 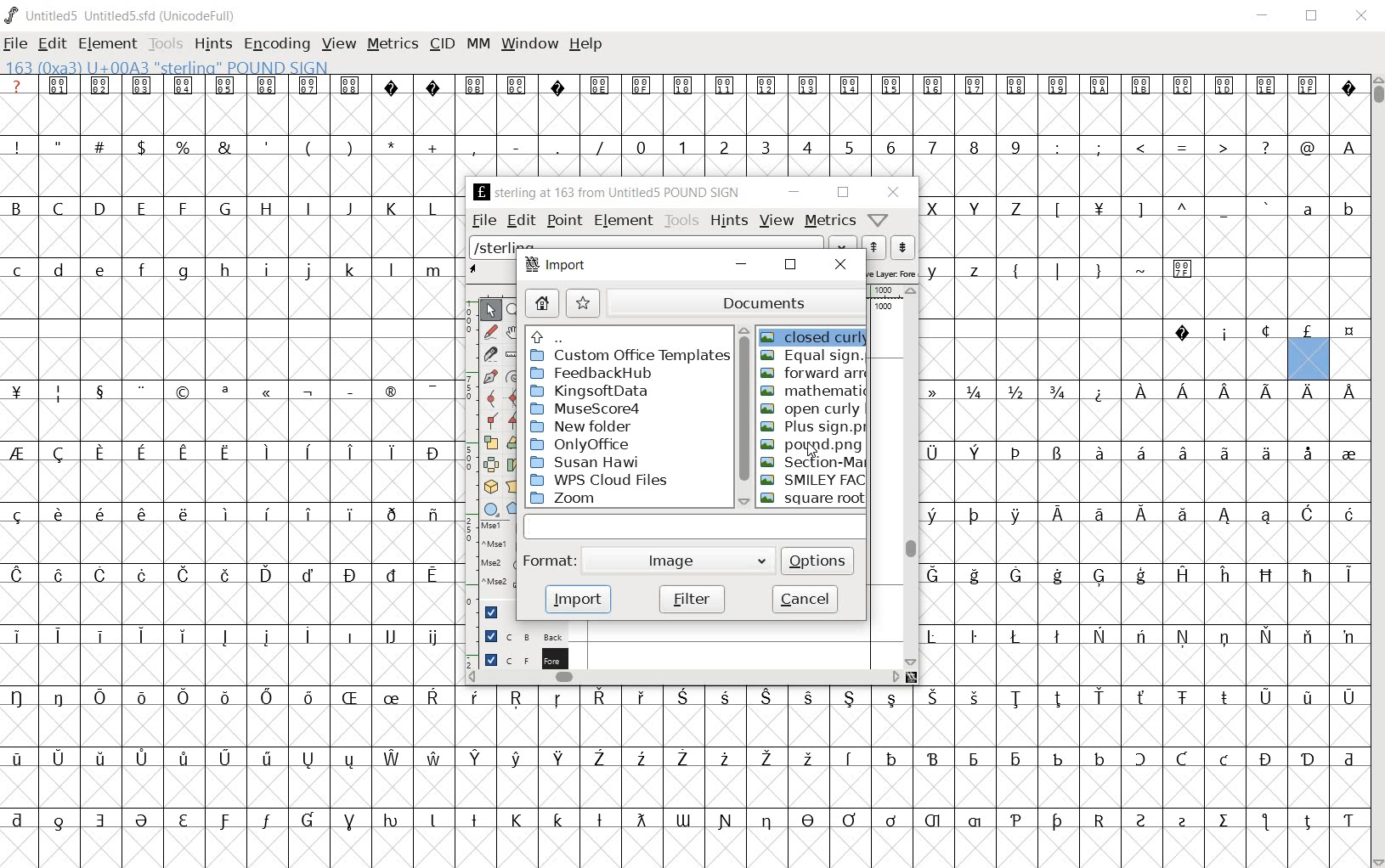 I want to click on y, so click(x=936, y=270).